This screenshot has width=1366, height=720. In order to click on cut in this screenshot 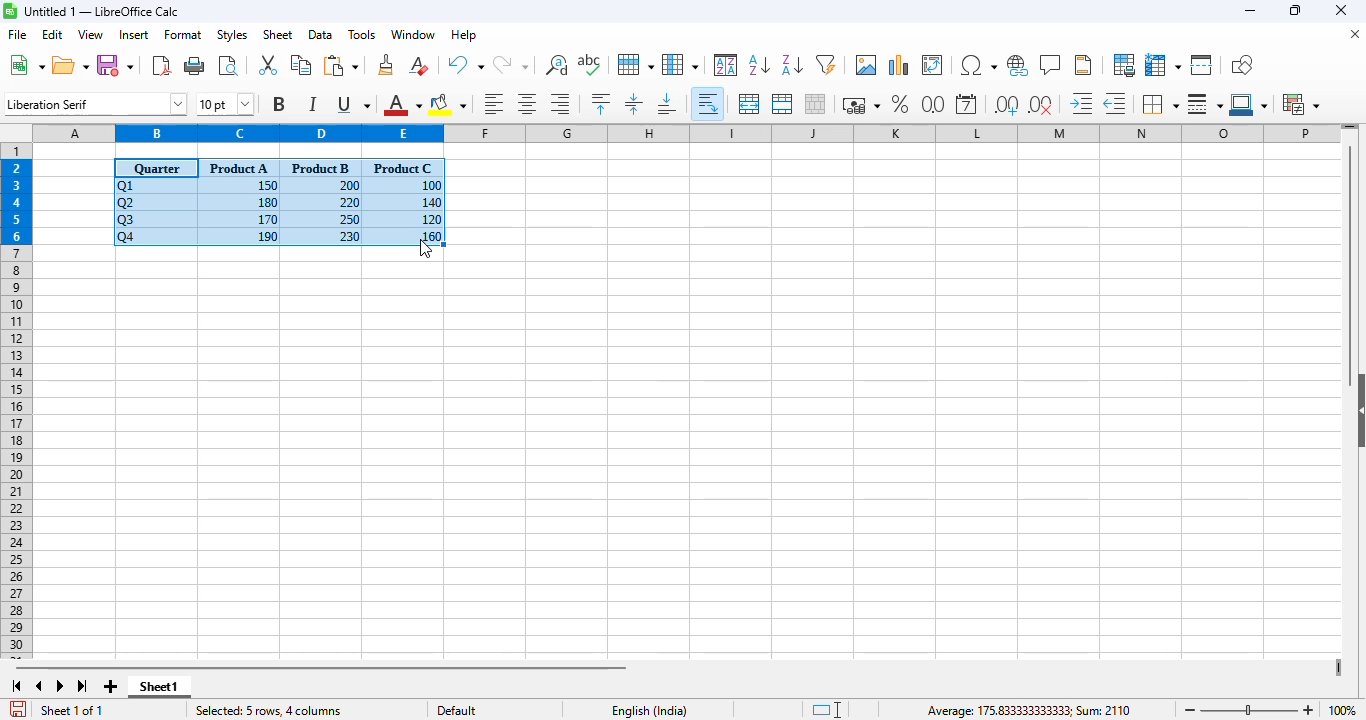, I will do `click(267, 64)`.